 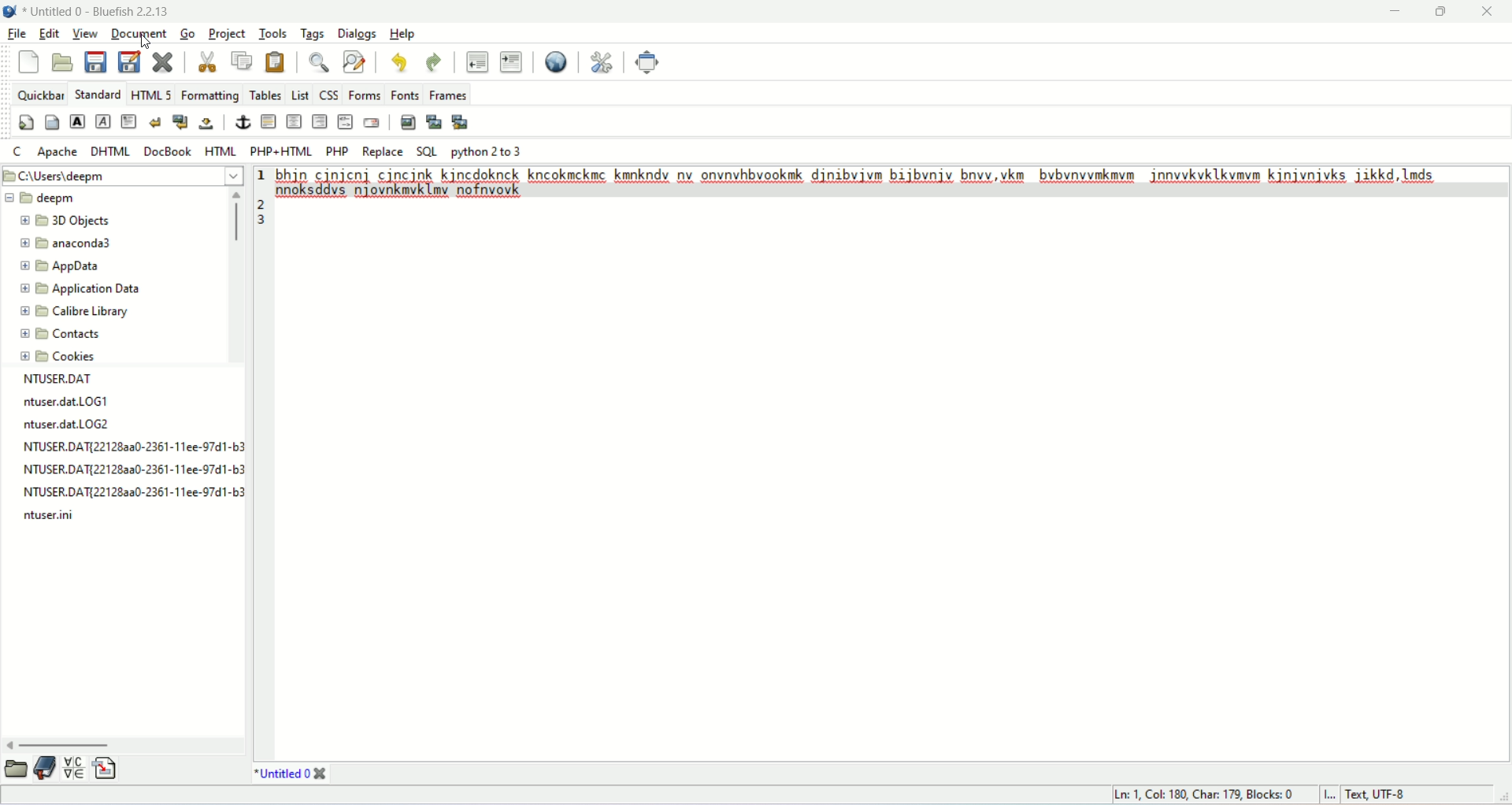 What do you see at coordinates (129, 61) in the screenshot?
I see `save file as` at bounding box center [129, 61].